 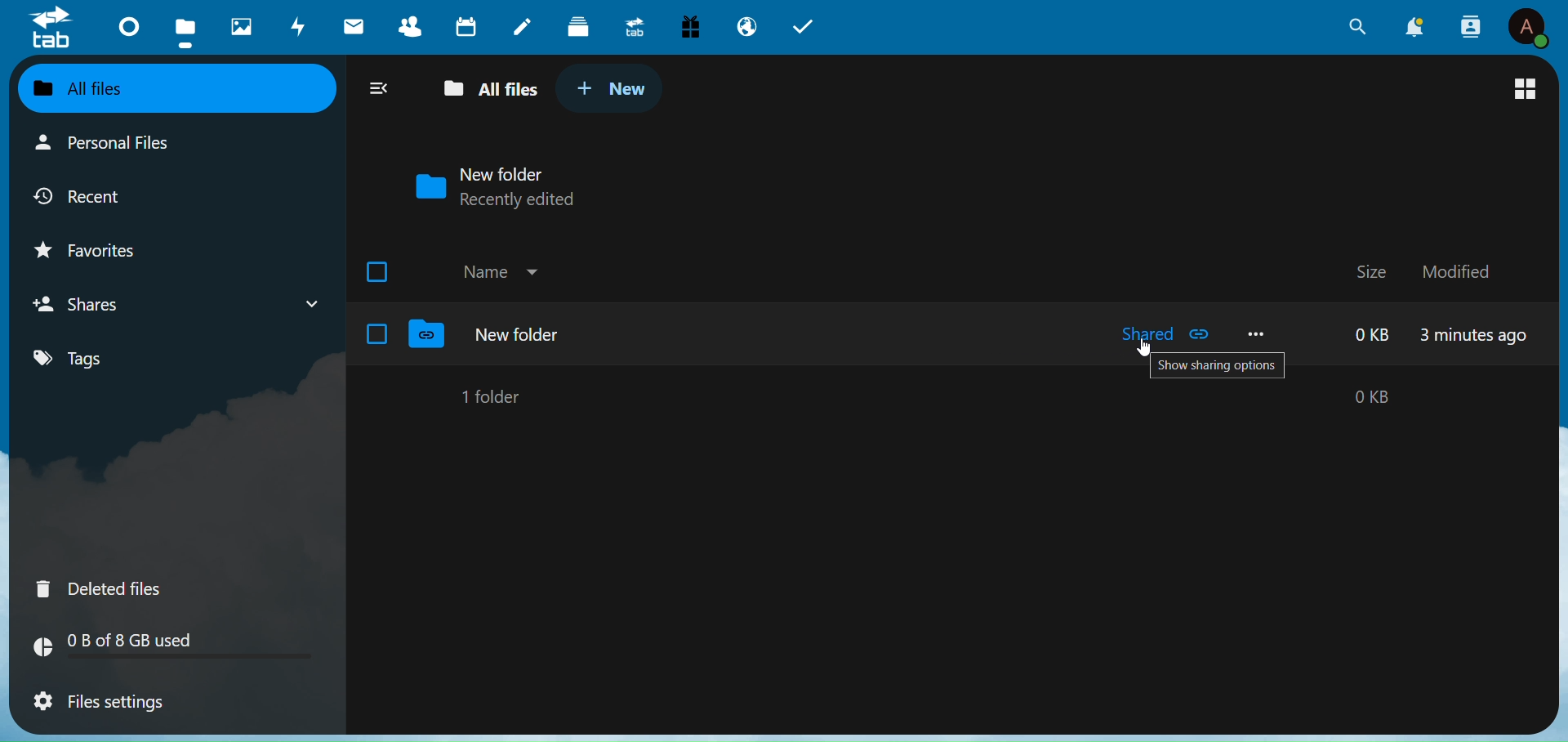 What do you see at coordinates (1218, 368) in the screenshot?
I see `show sharing options` at bounding box center [1218, 368].